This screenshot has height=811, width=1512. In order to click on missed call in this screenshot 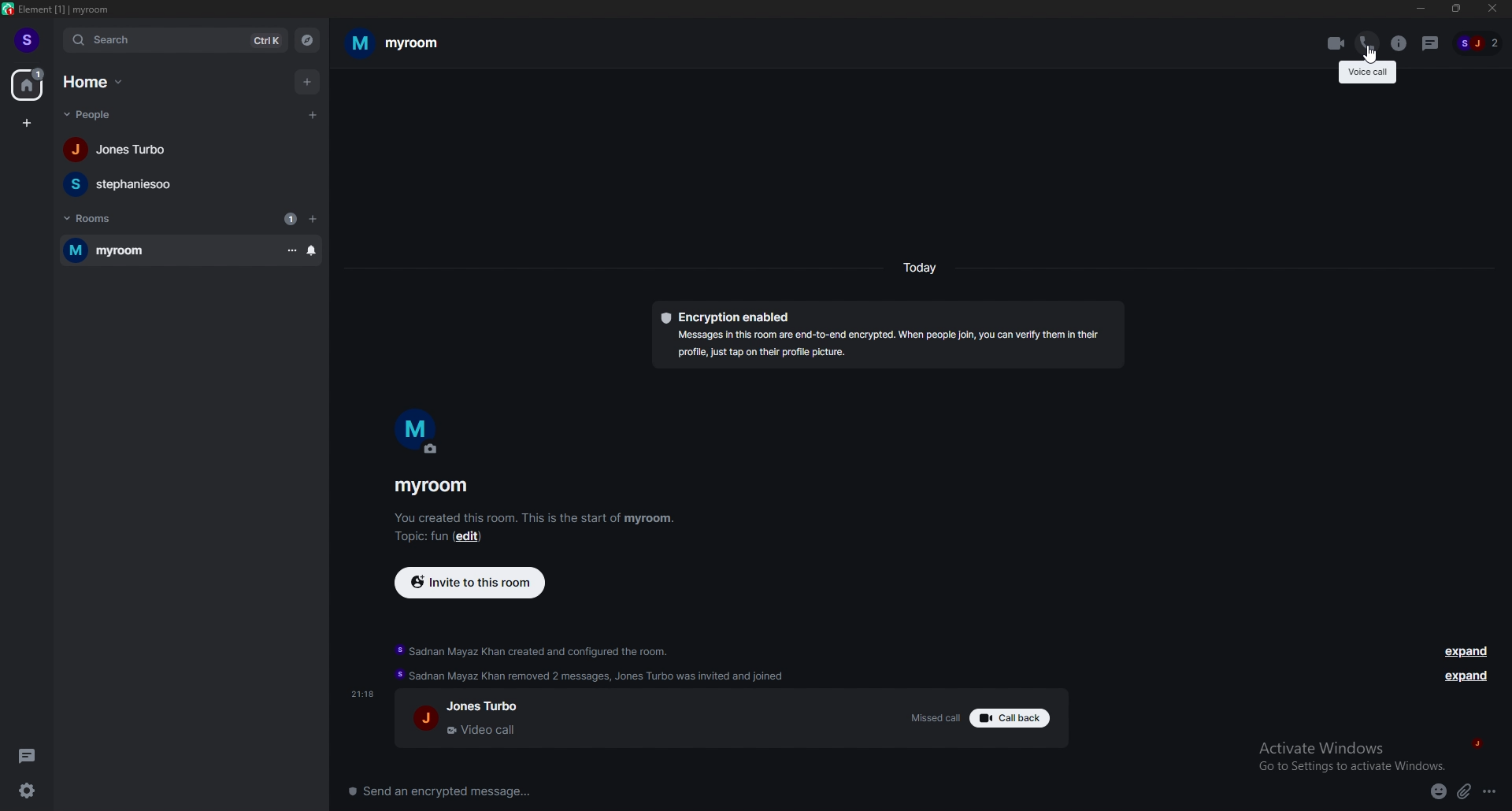, I will do `click(928, 715)`.